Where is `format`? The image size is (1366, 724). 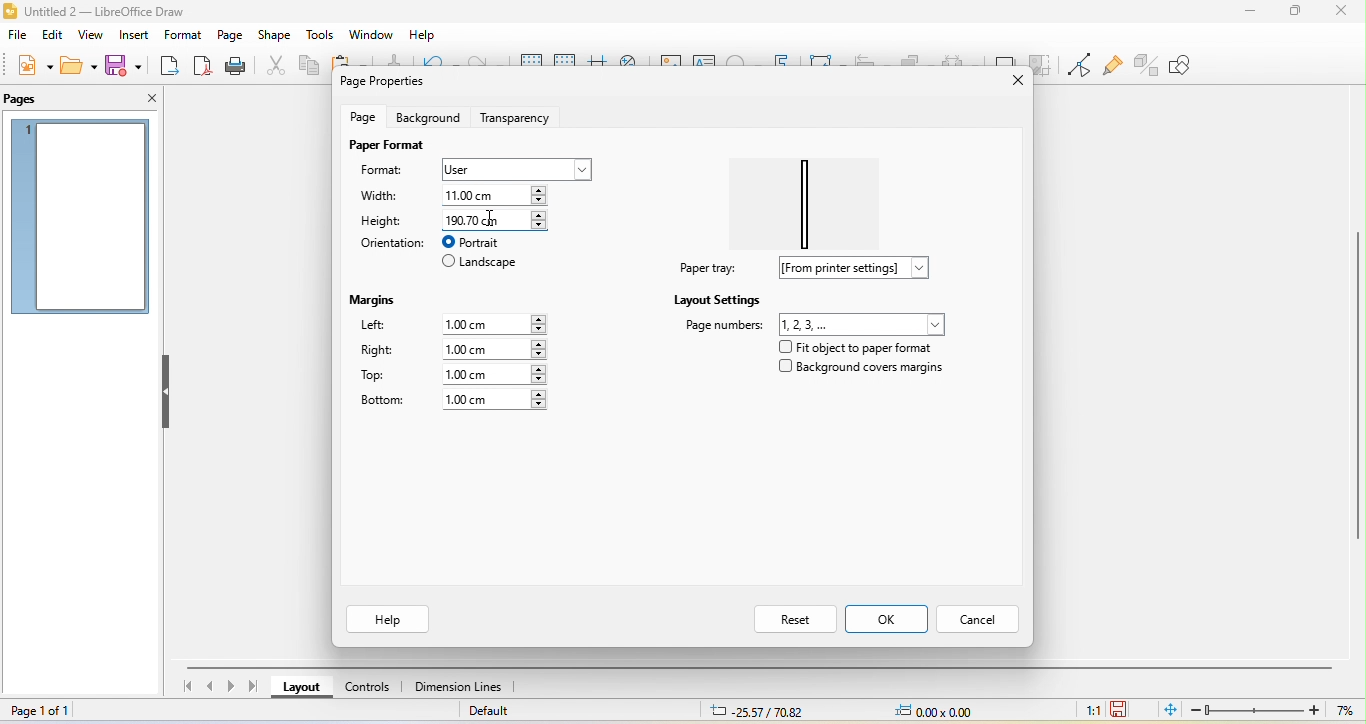
format is located at coordinates (180, 37).